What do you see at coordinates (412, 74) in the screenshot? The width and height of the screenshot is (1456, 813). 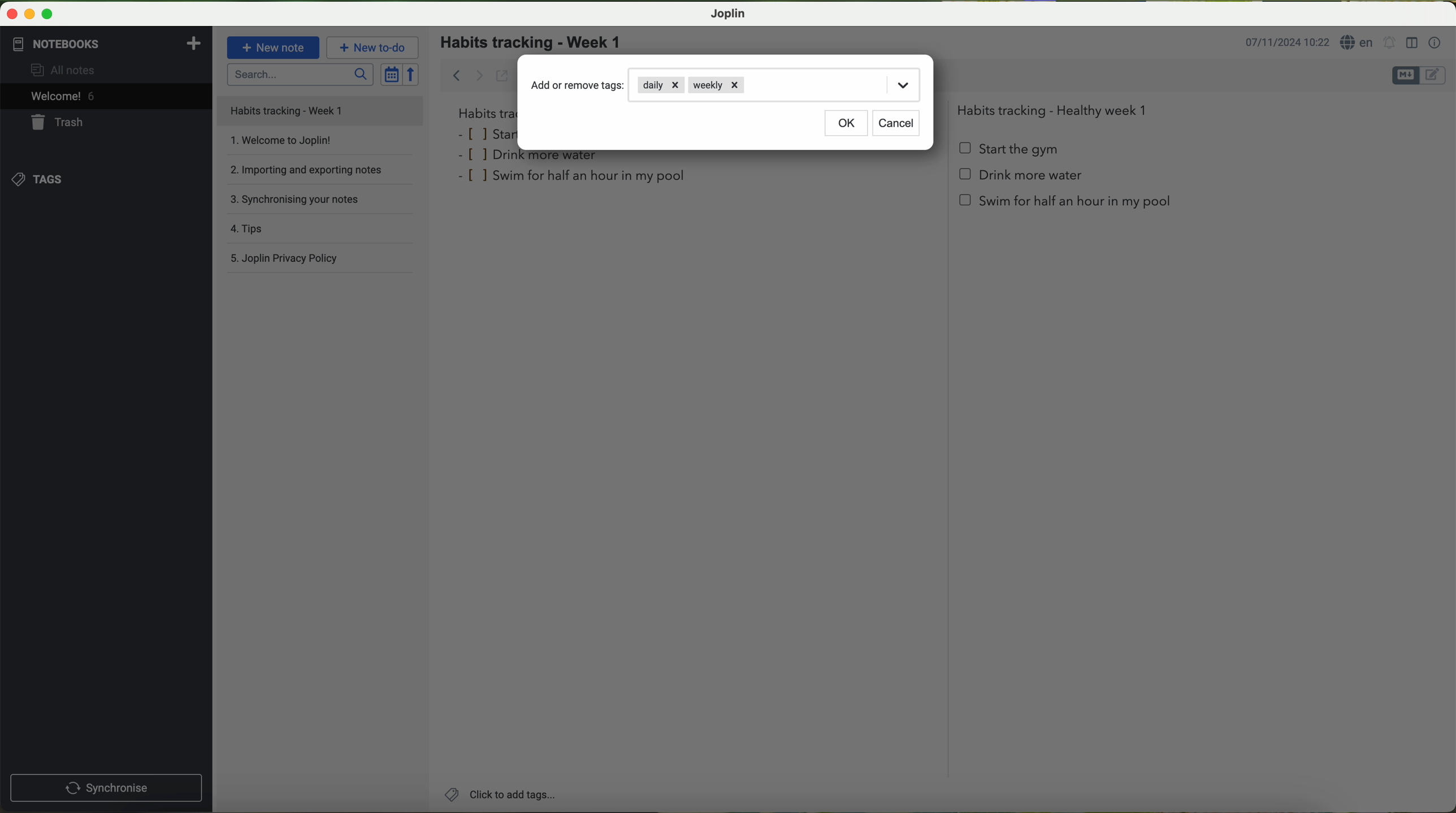 I see `reverse sort order` at bounding box center [412, 74].